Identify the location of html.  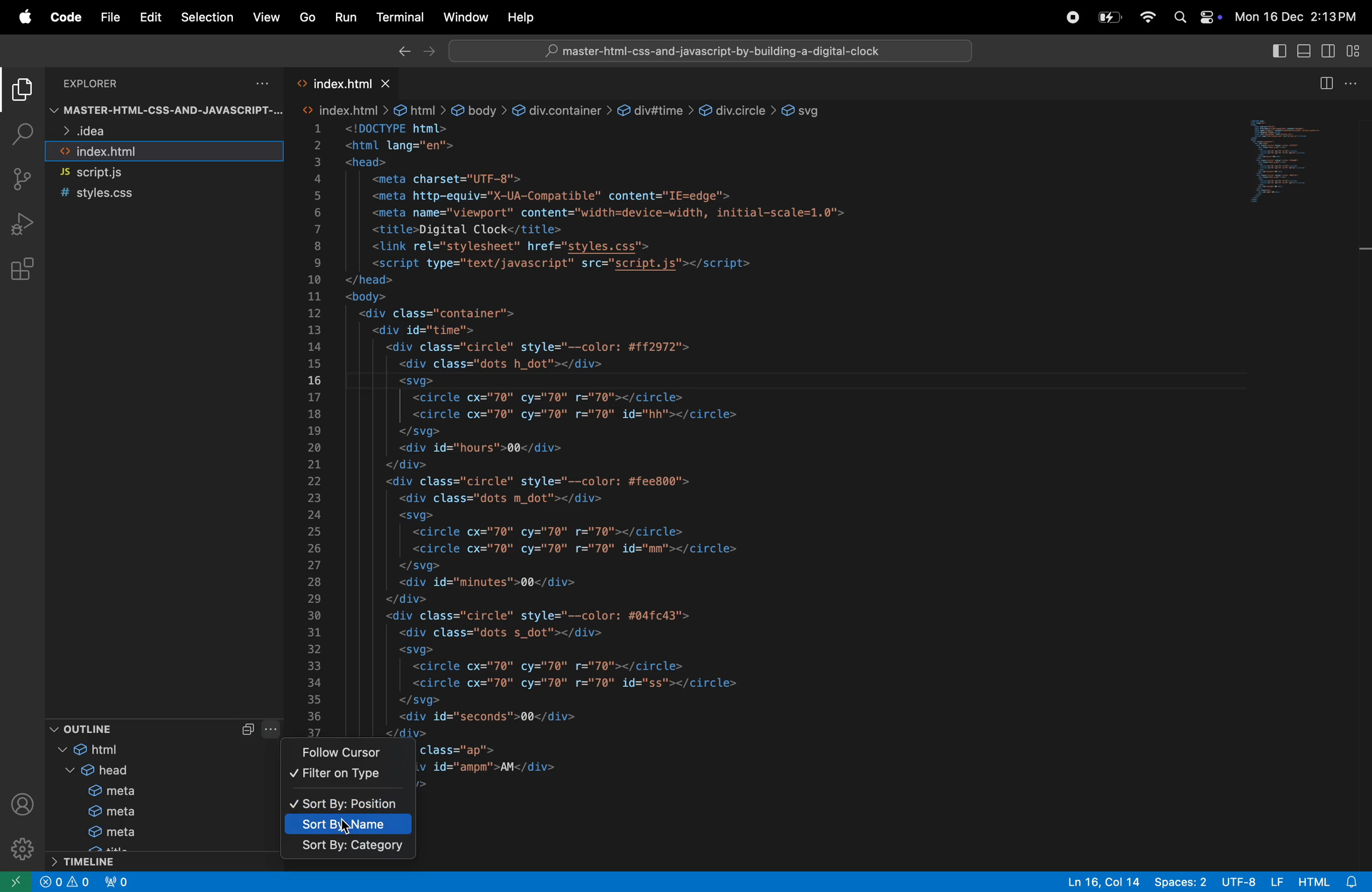
(344, 110).